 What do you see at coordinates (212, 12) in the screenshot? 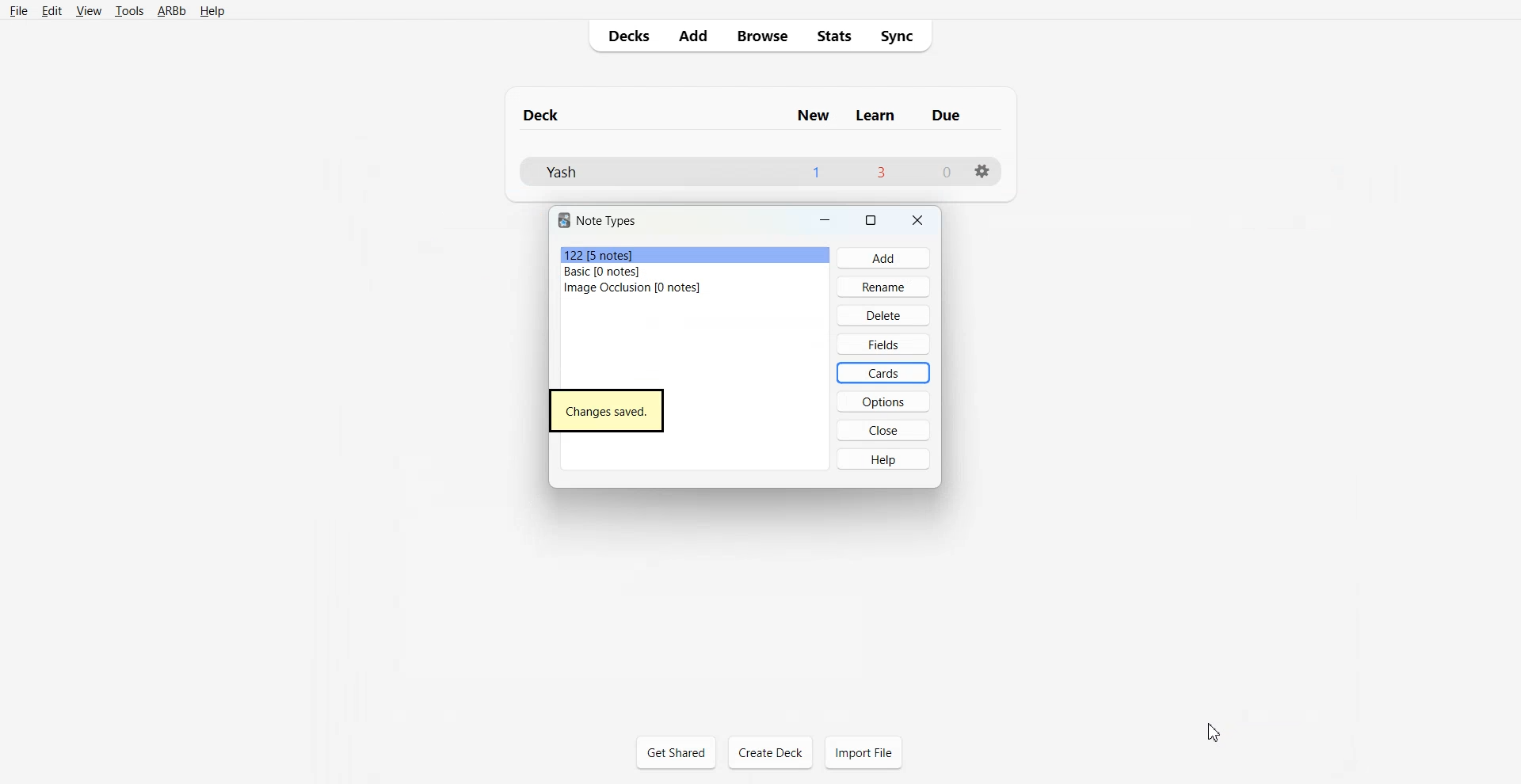
I see `Help` at bounding box center [212, 12].